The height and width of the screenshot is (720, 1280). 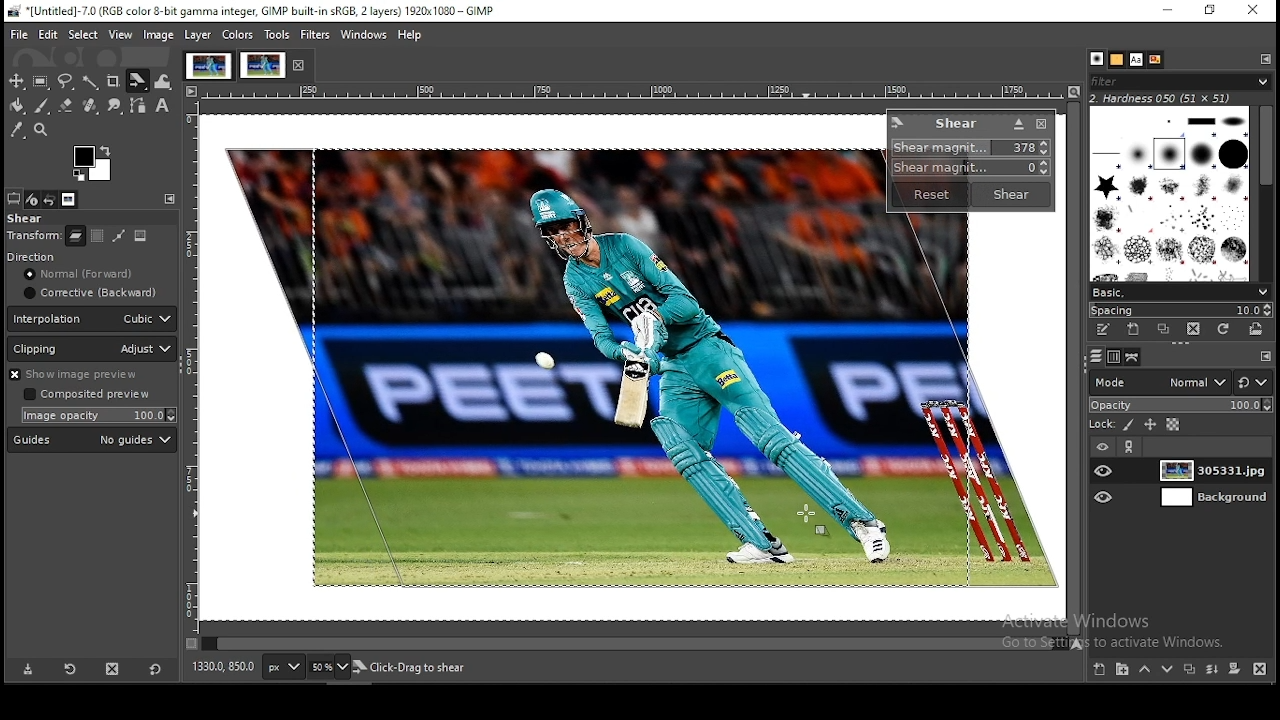 I want to click on heal tool, so click(x=91, y=106).